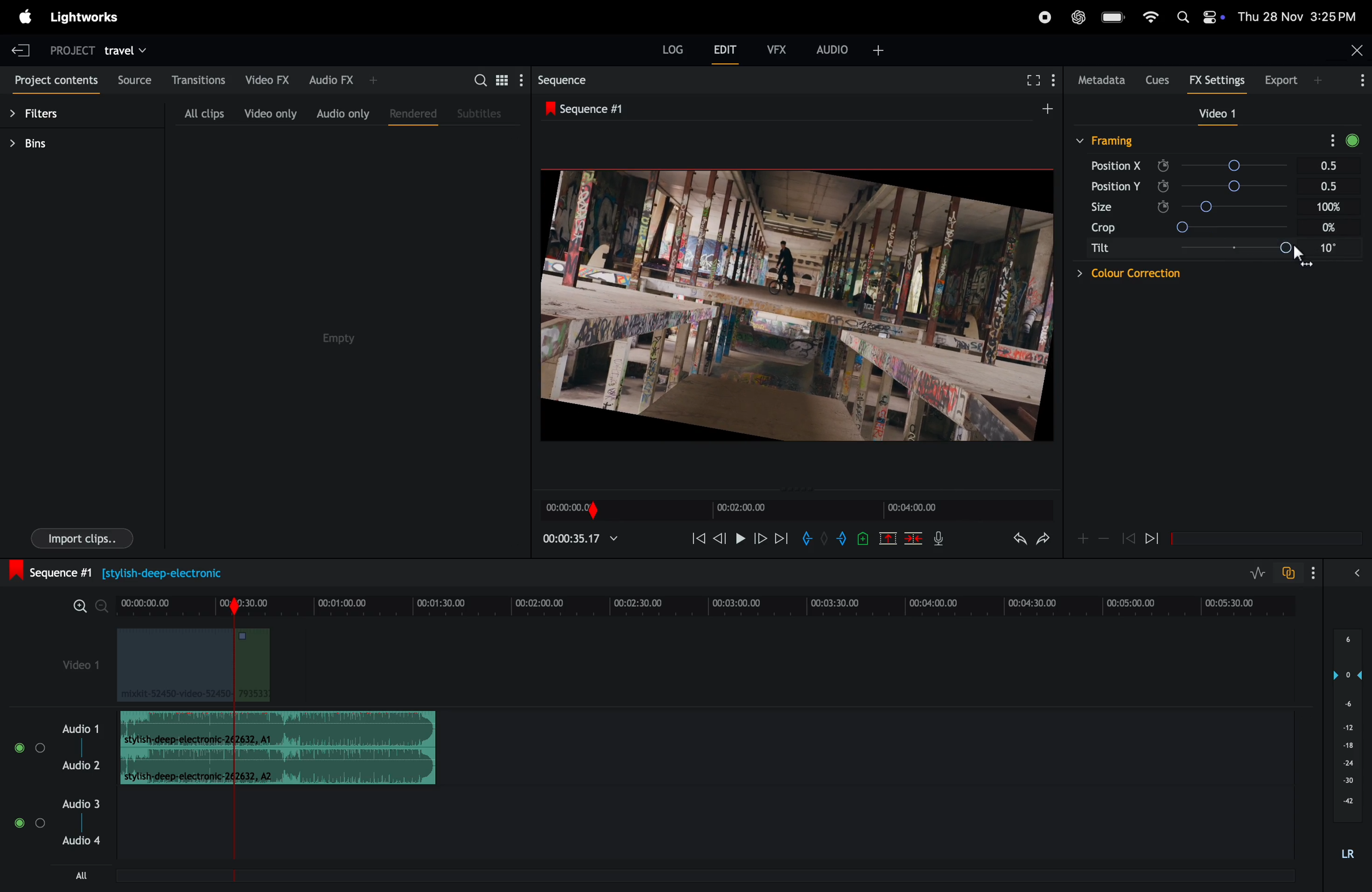  What do you see at coordinates (1217, 81) in the screenshot?
I see `Fx settings` at bounding box center [1217, 81].